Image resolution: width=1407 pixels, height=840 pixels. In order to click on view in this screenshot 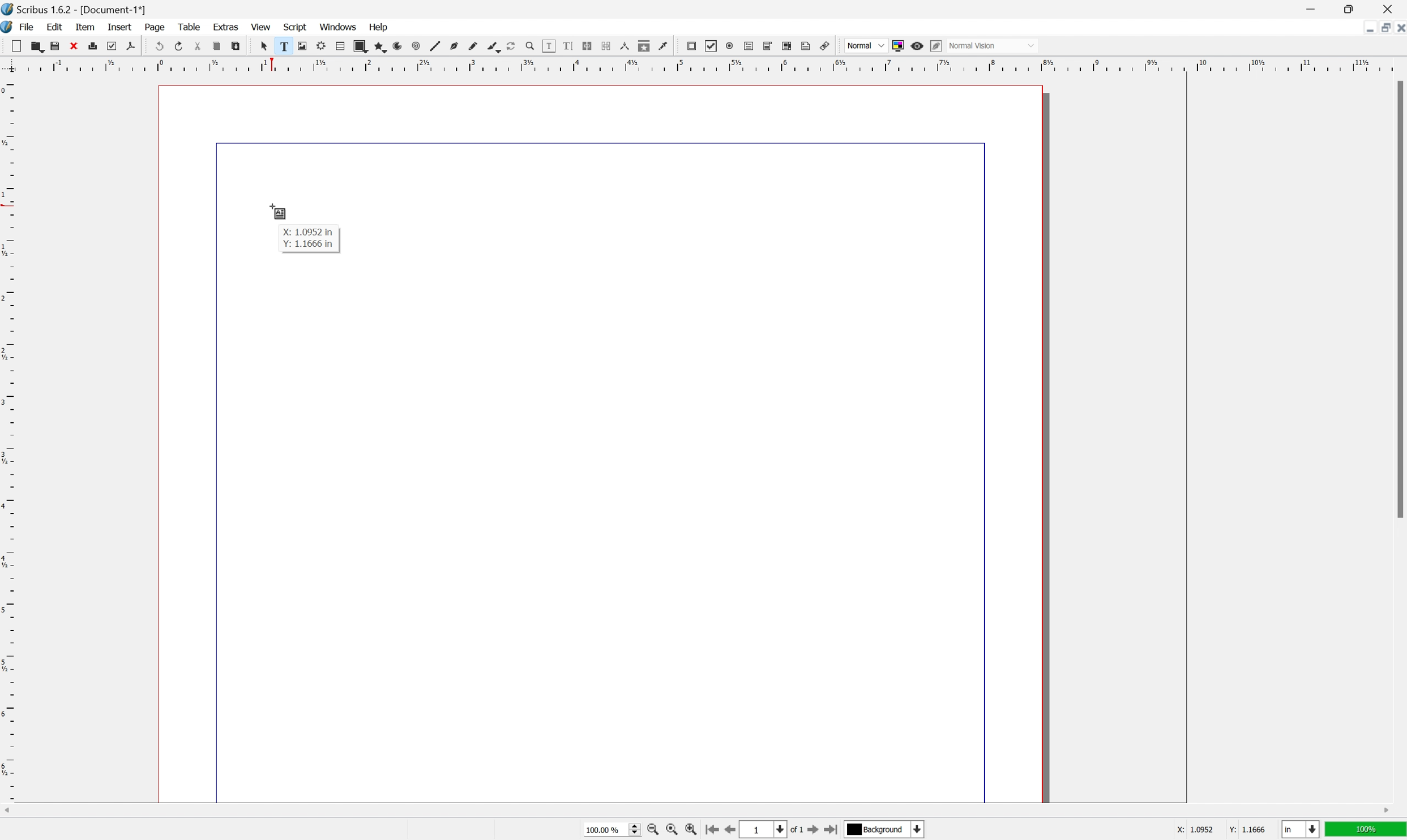, I will do `click(261, 28)`.